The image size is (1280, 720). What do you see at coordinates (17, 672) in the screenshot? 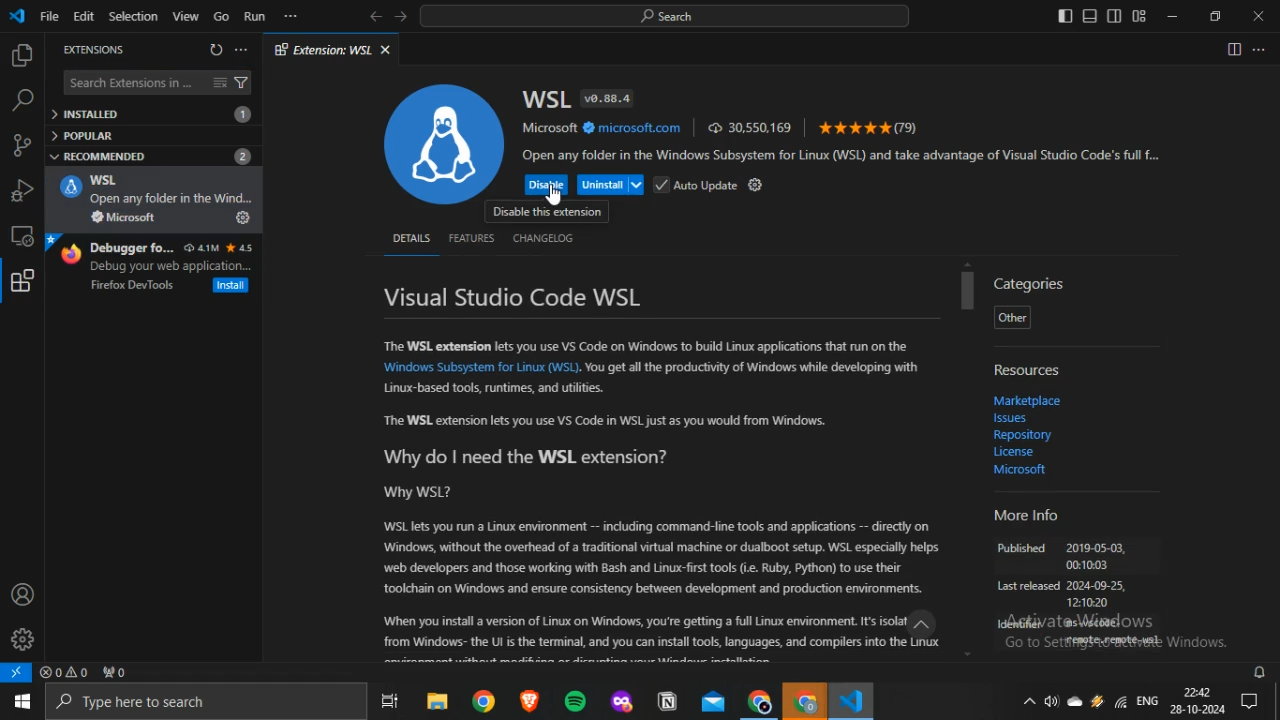
I see `open a remote window` at bounding box center [17, 672].